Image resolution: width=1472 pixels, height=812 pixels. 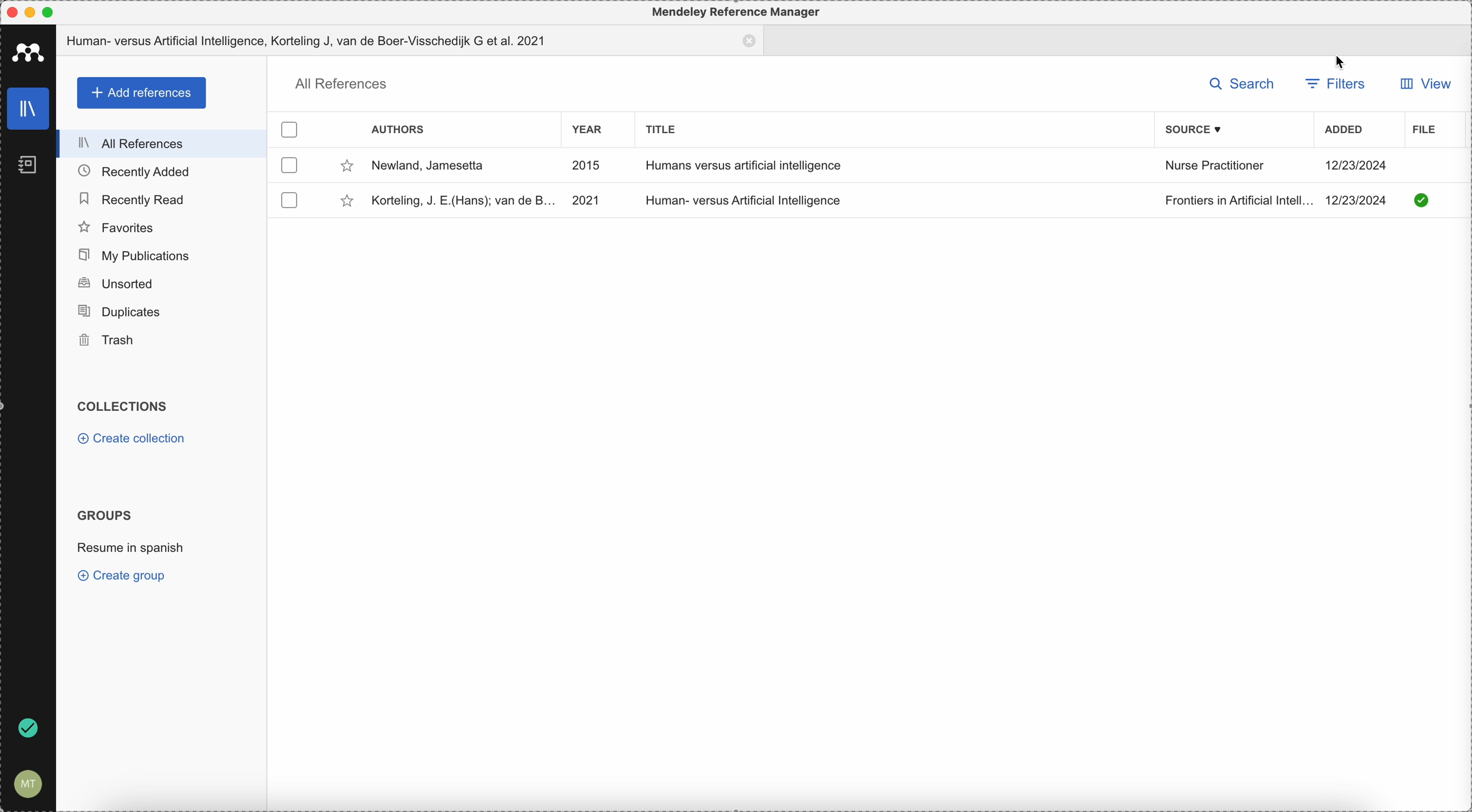 I want to click on view, so click(x=1425, y=83).